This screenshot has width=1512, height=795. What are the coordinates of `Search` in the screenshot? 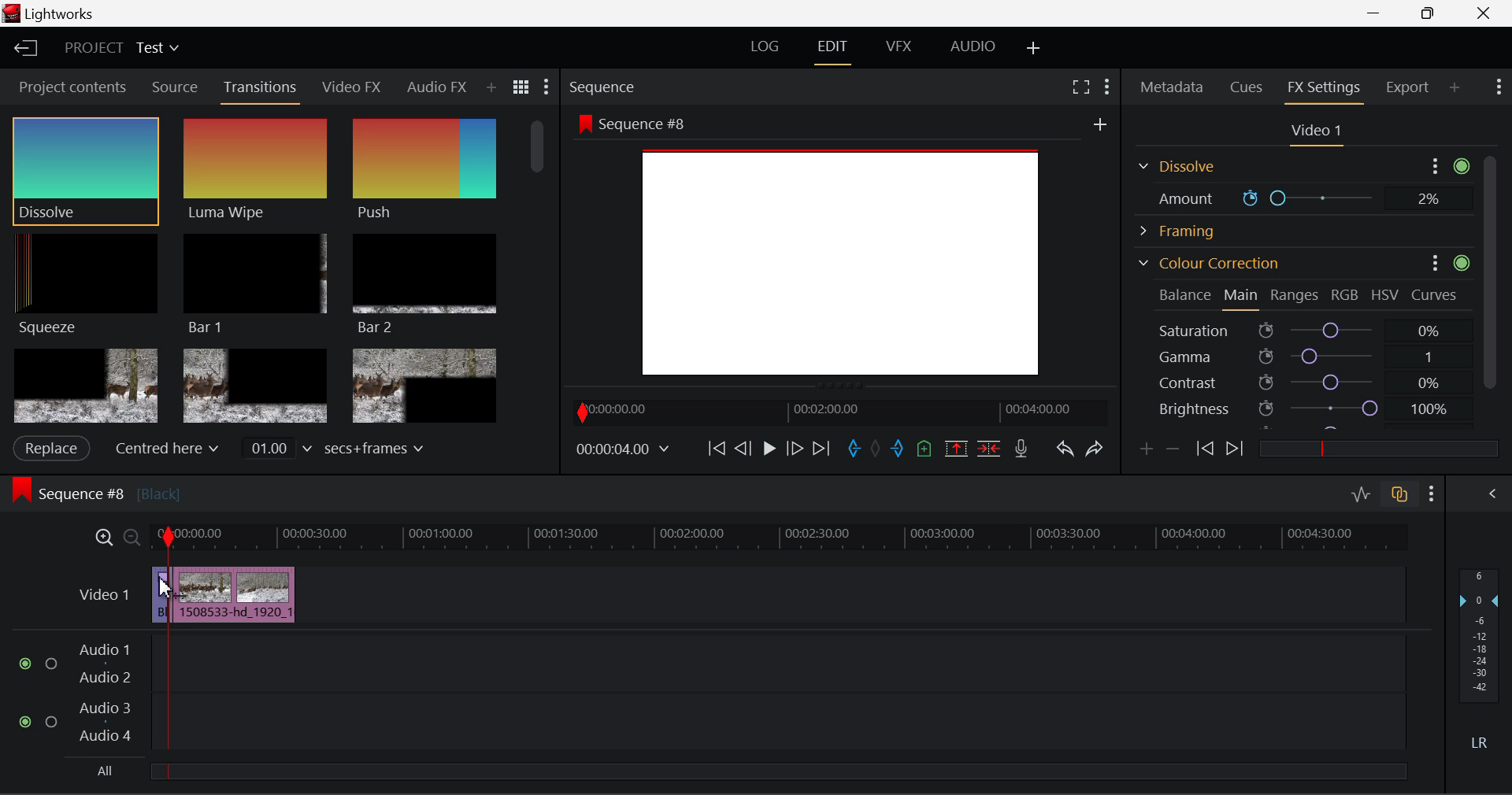 It's located at (496, 87).